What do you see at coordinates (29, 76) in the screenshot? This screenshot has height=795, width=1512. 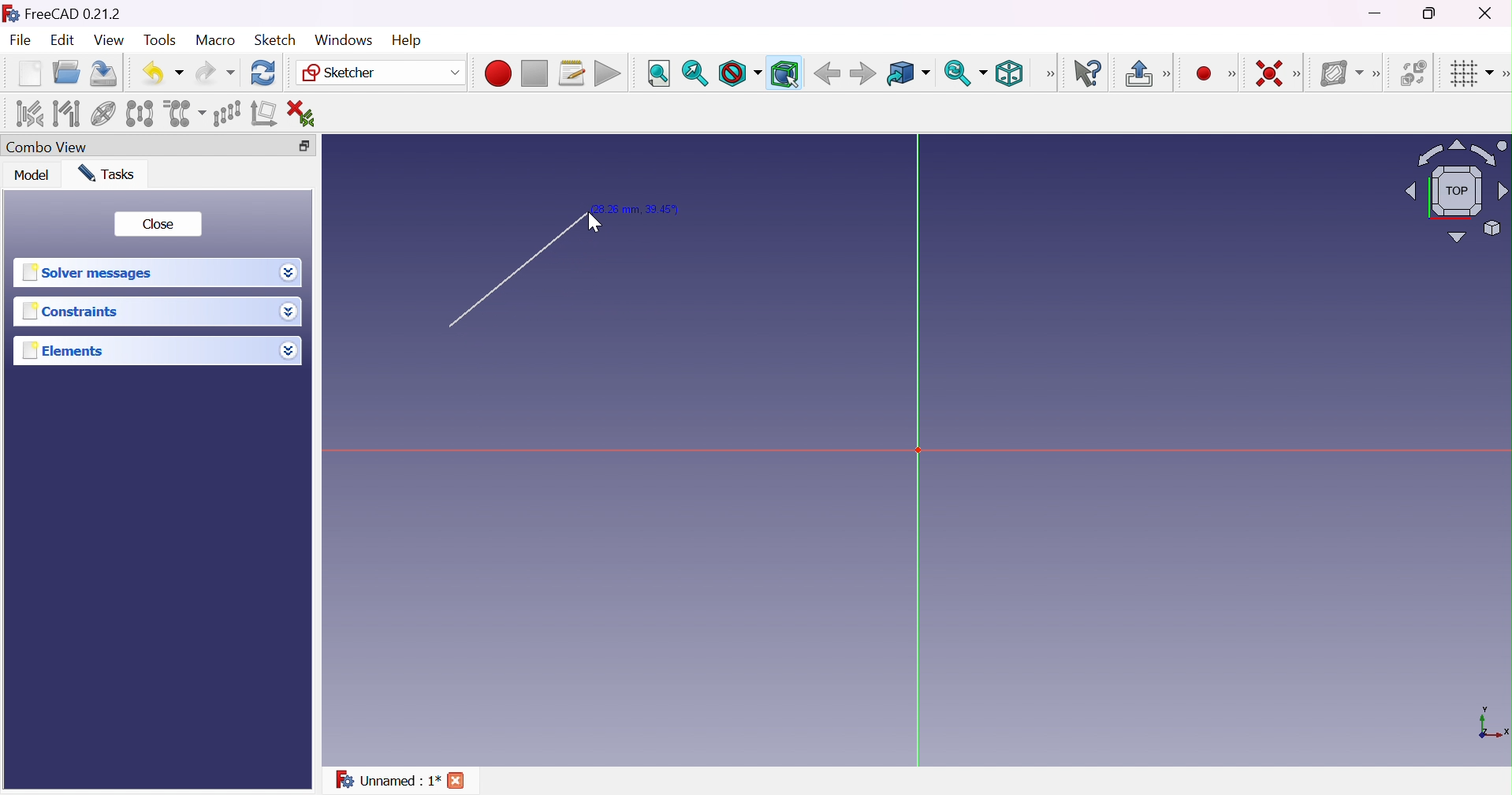 I see `New` at bounding box center [29, 76].